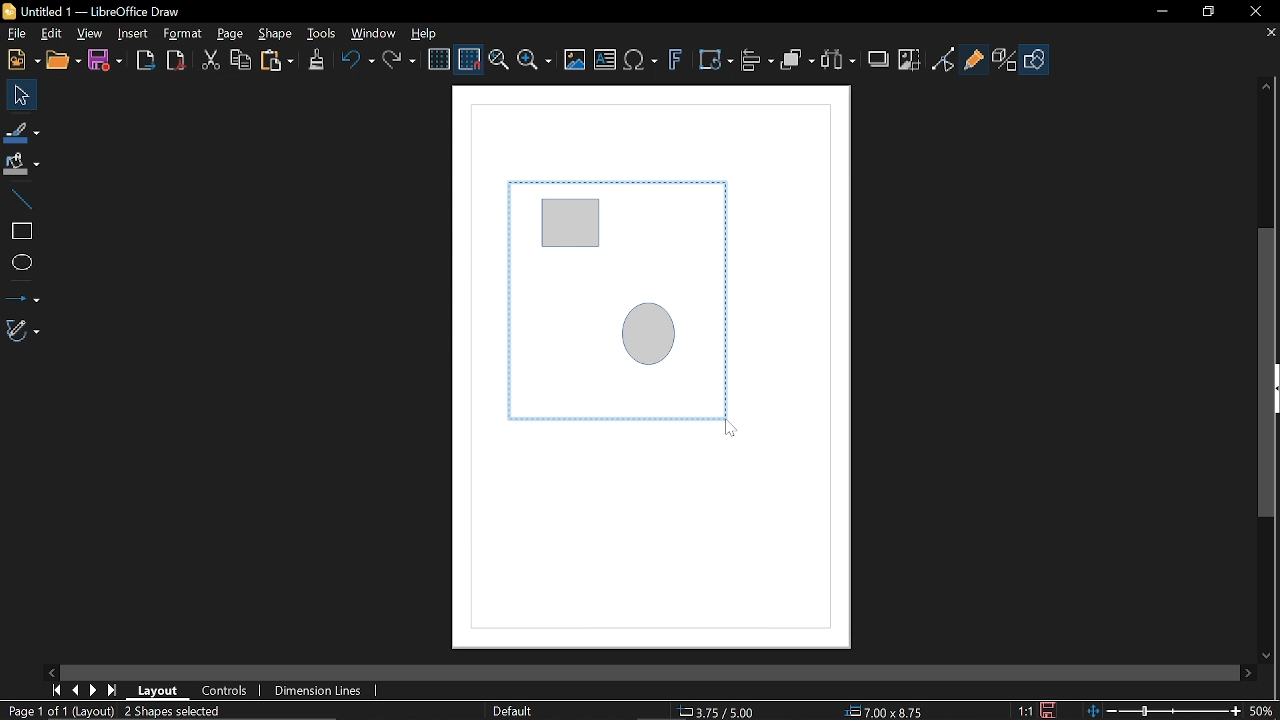 This screenshot has width=1280, height=720. What do you see at coordinates (401, 62) in the screenshot?
I see `Redo` at bounding box center [401, 62].